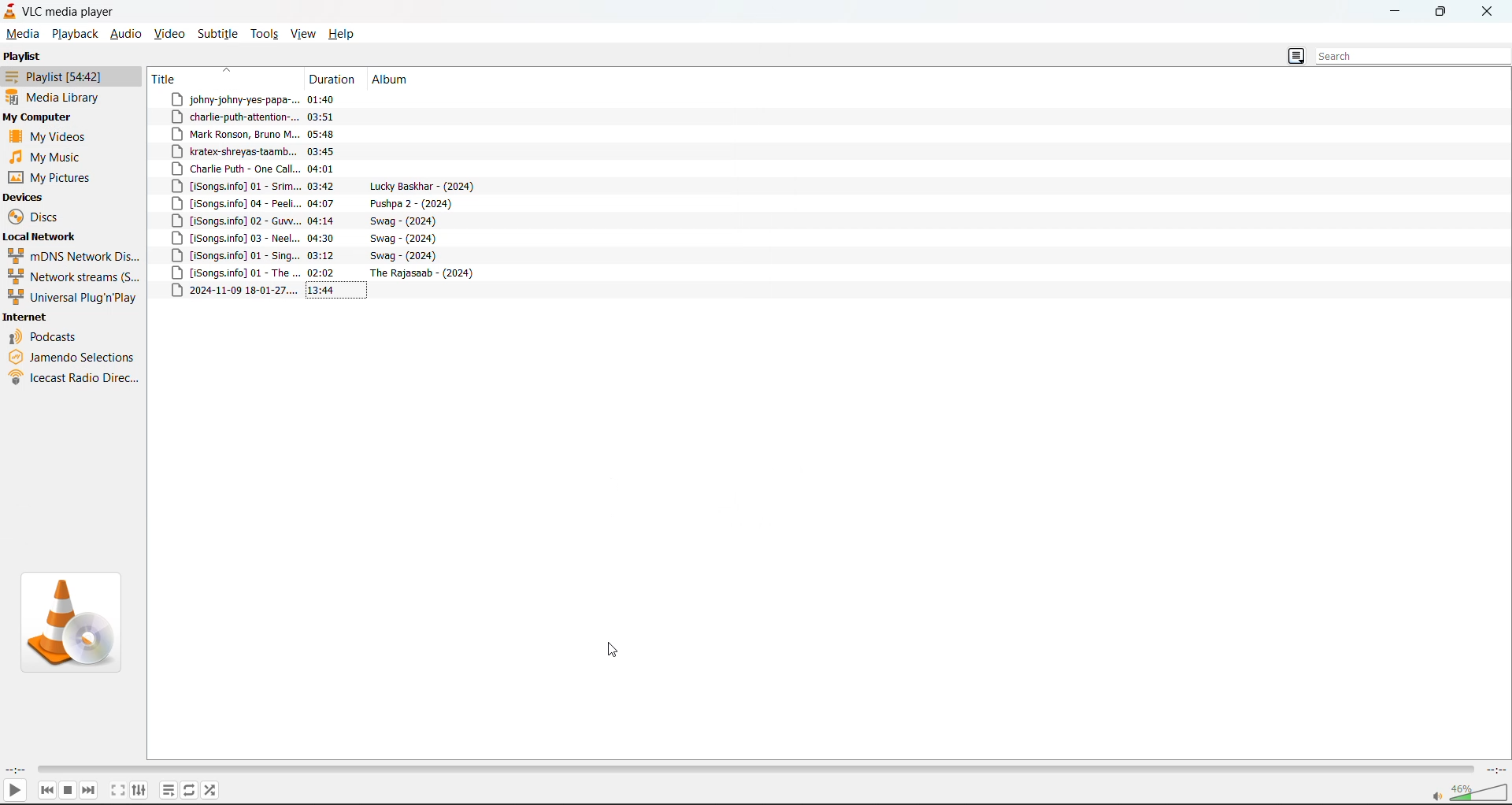 The height and width of the screenshot is (805, 1512). I want to click on network streams, so click(74, 278).